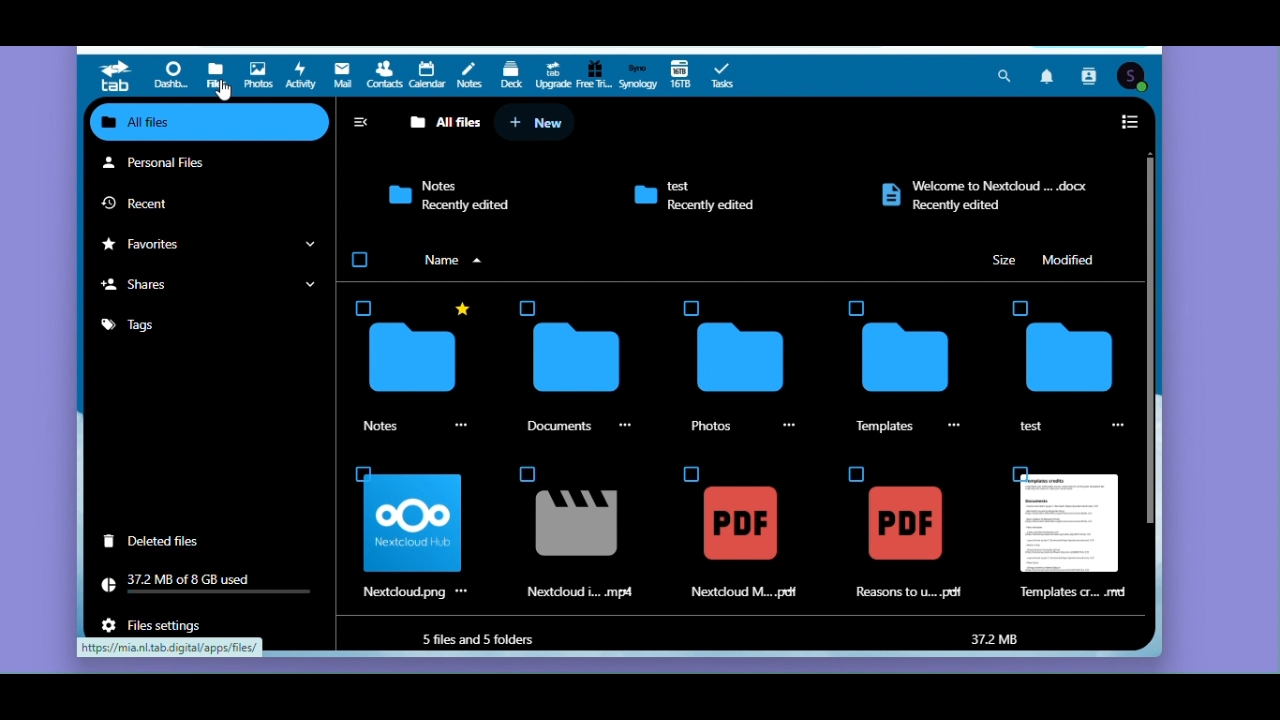  I want to click on Calendar, so click(427, 73).